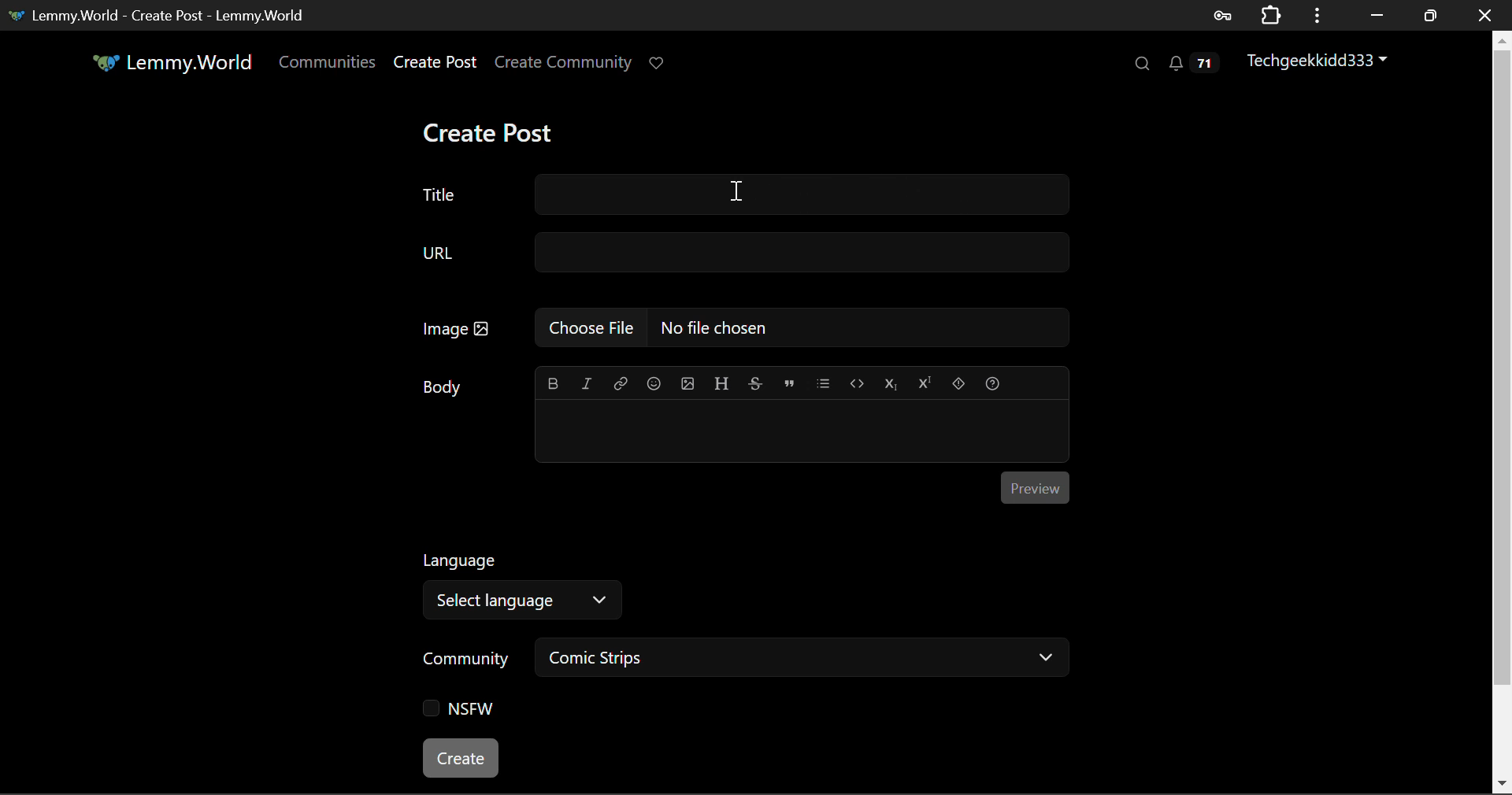  What do you see at coordinates (1484, 13) in the screenshot?
I see `Close Window` at bounding box center [1484, 13].